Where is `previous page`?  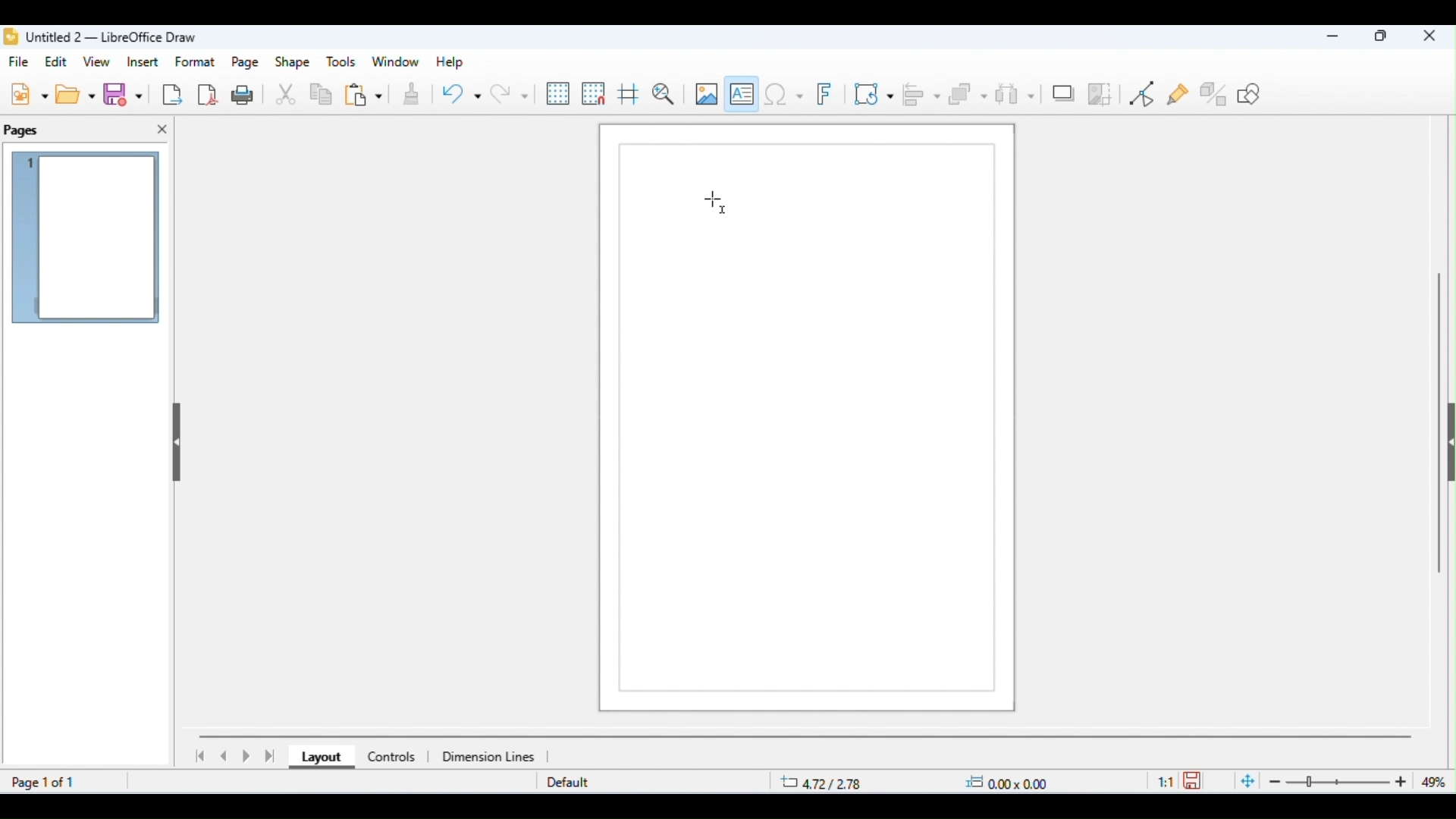
previous page is located at coordinates (224, 756).